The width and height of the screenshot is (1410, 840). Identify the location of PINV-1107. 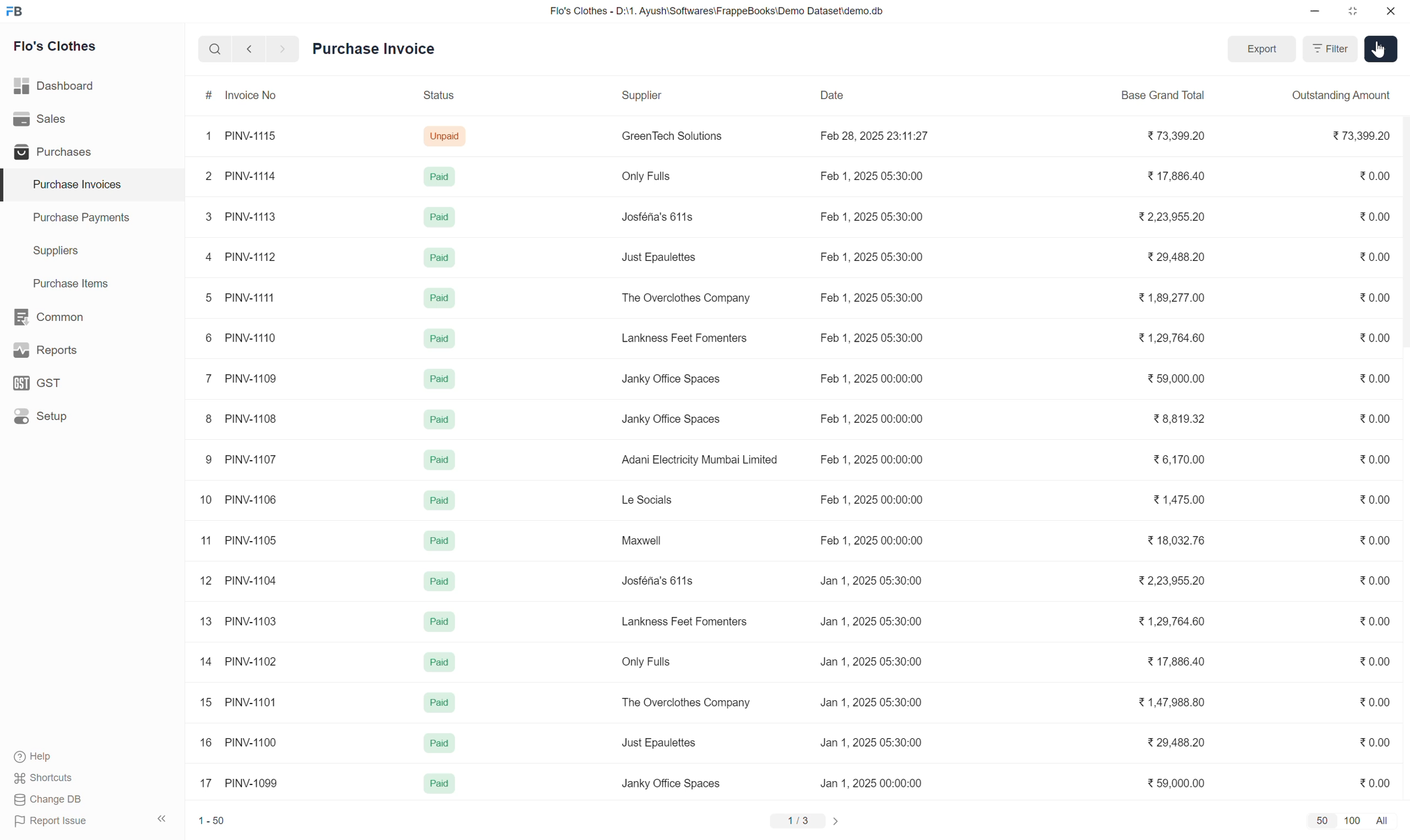
(251, 460).